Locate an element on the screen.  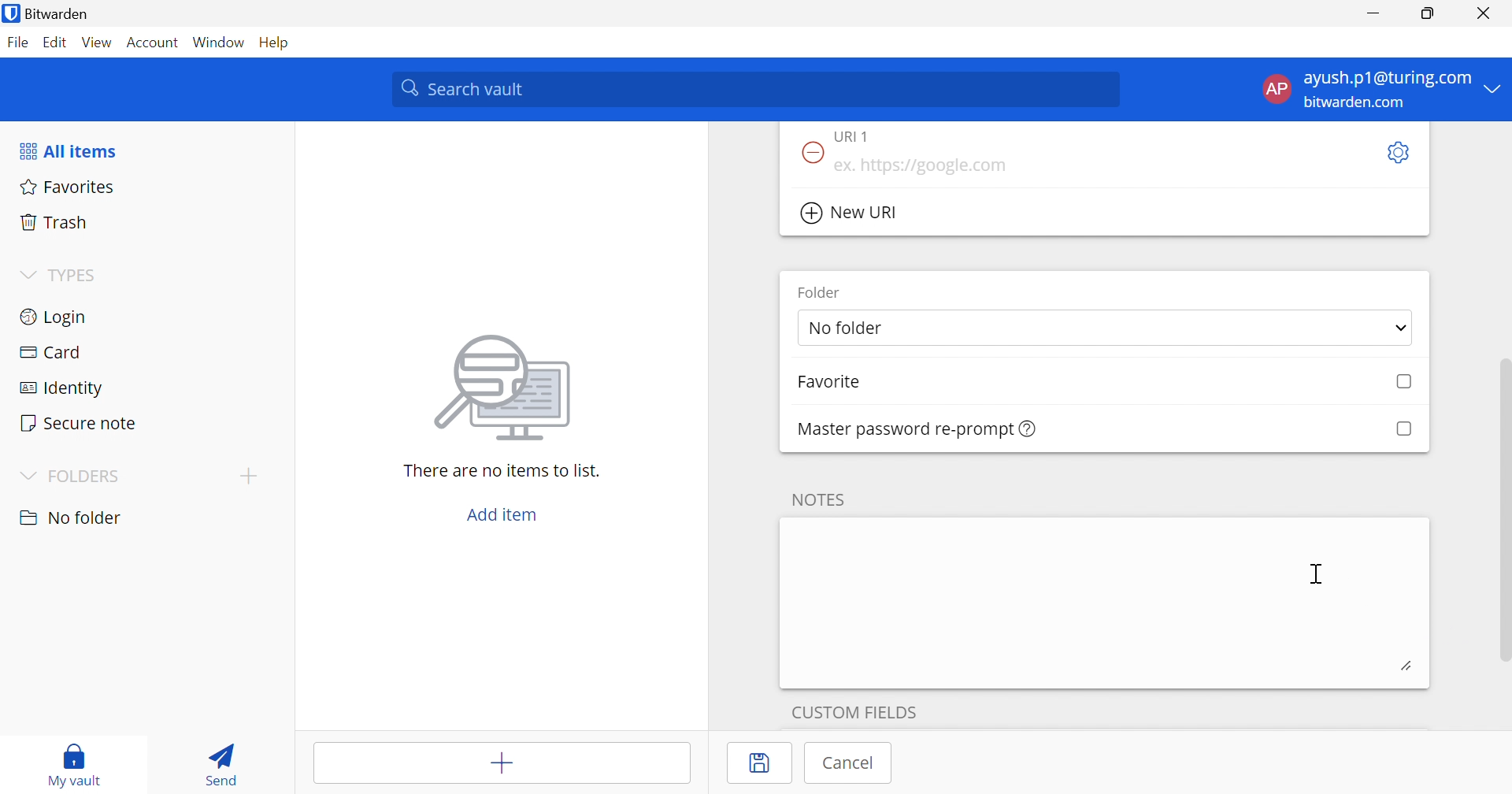
Identity is located at coordinates (64, 389).